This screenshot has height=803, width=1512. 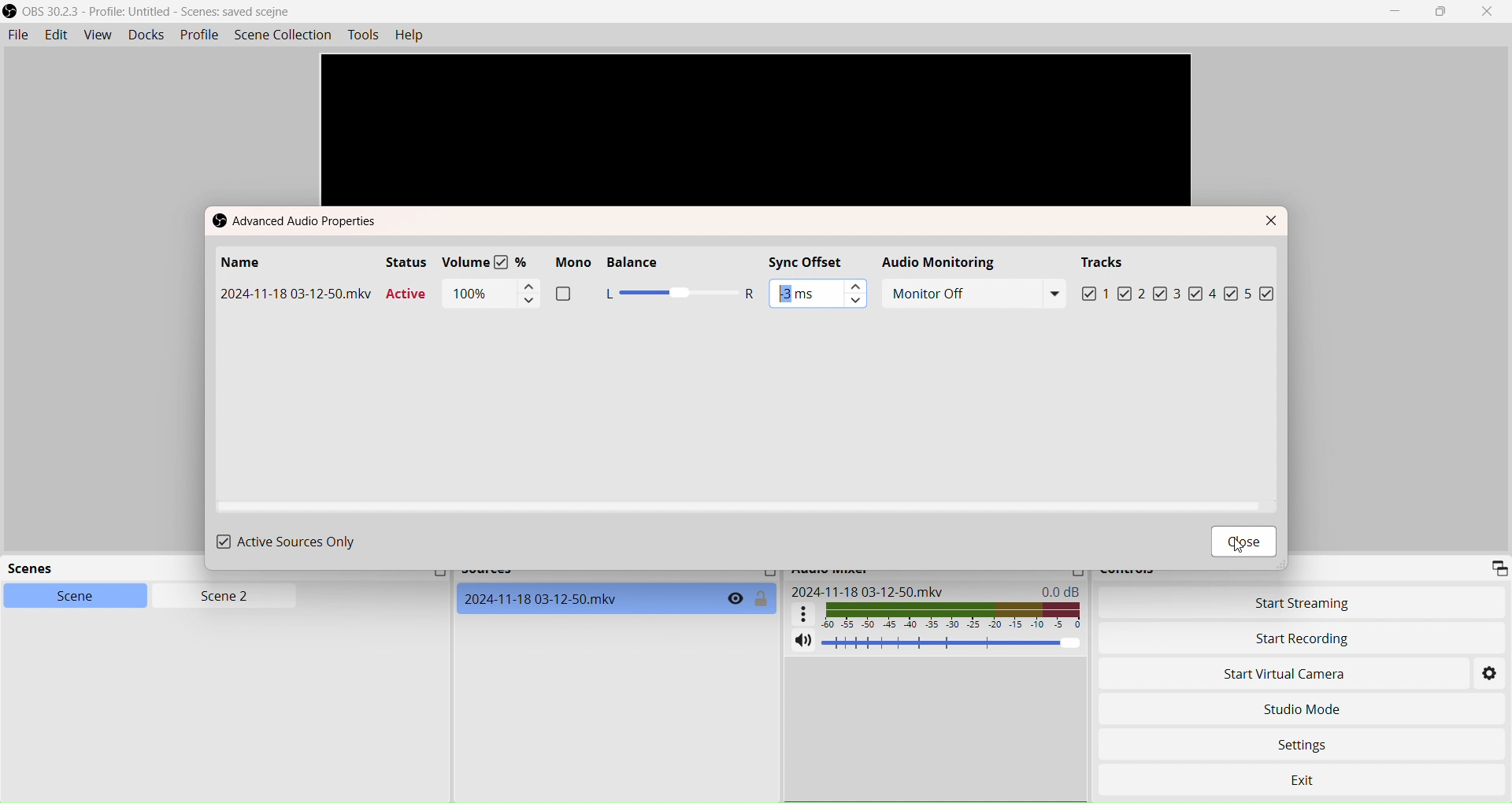 What do you see at coordinates (1306, 603) in the screenshot?
I see `Start Streaming` at bounding box center [1306, 603].